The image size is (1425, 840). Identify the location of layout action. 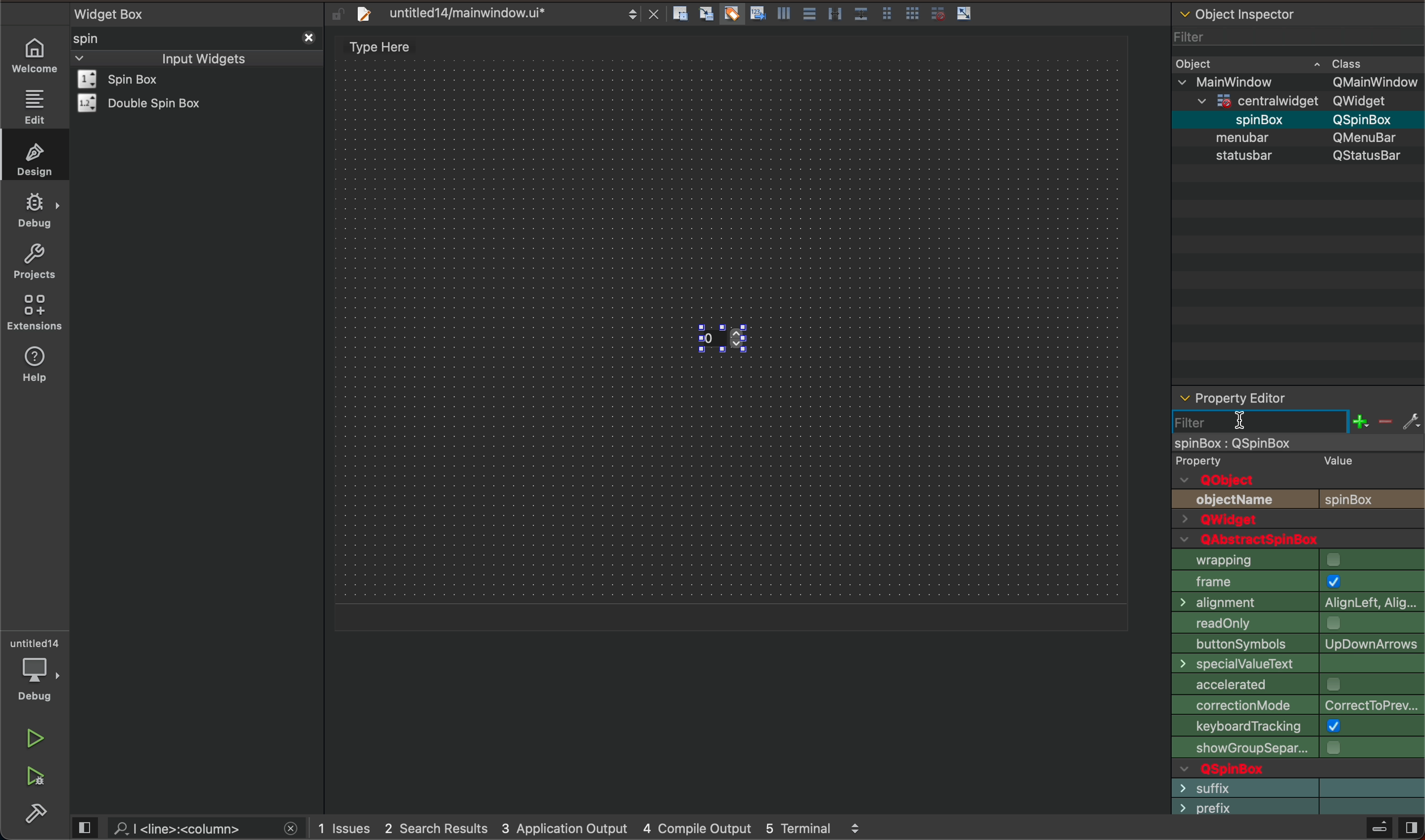
(827, 11).